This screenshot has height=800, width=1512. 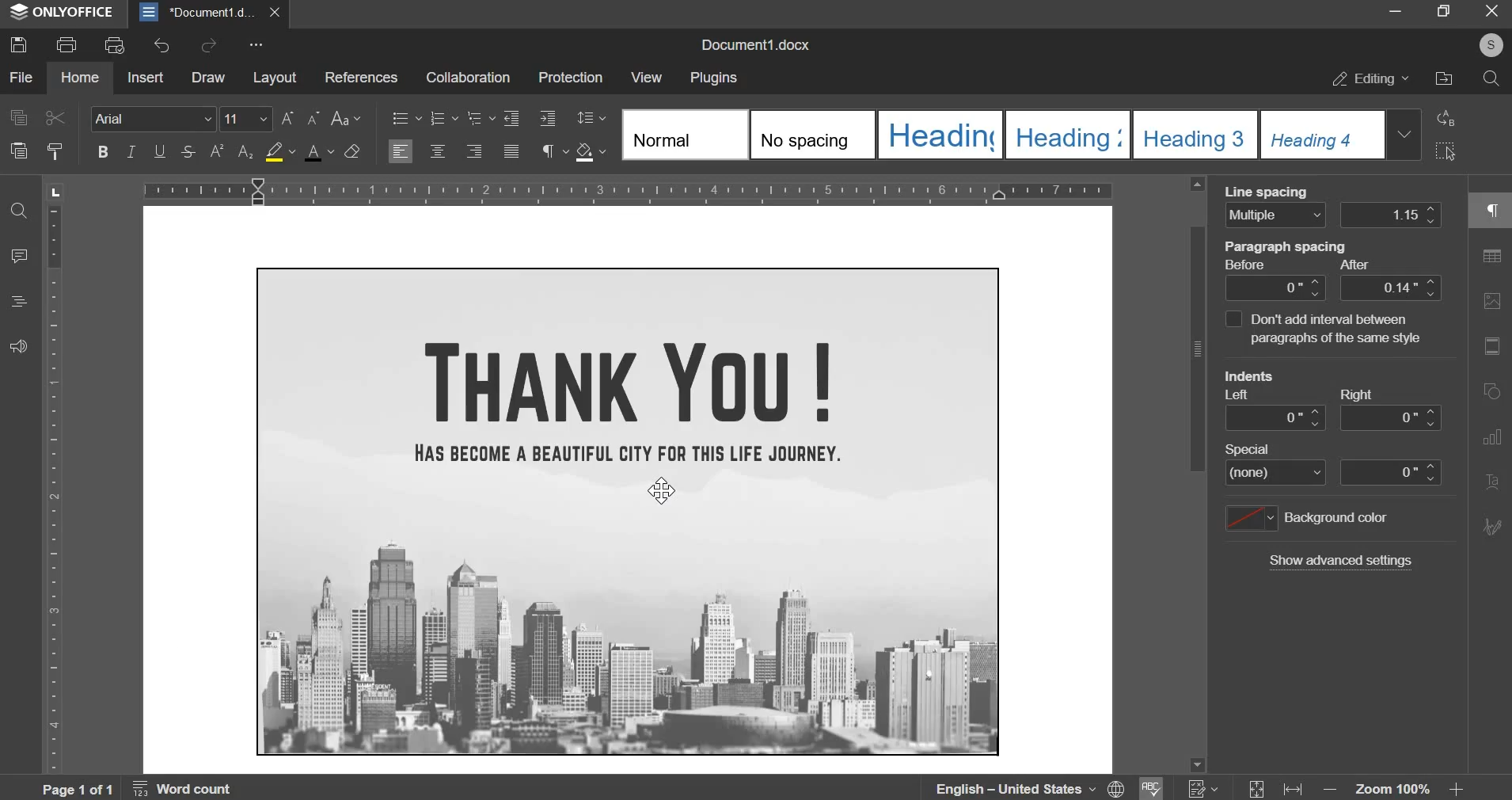 I want to click on draw, so click(x=208, y=76).